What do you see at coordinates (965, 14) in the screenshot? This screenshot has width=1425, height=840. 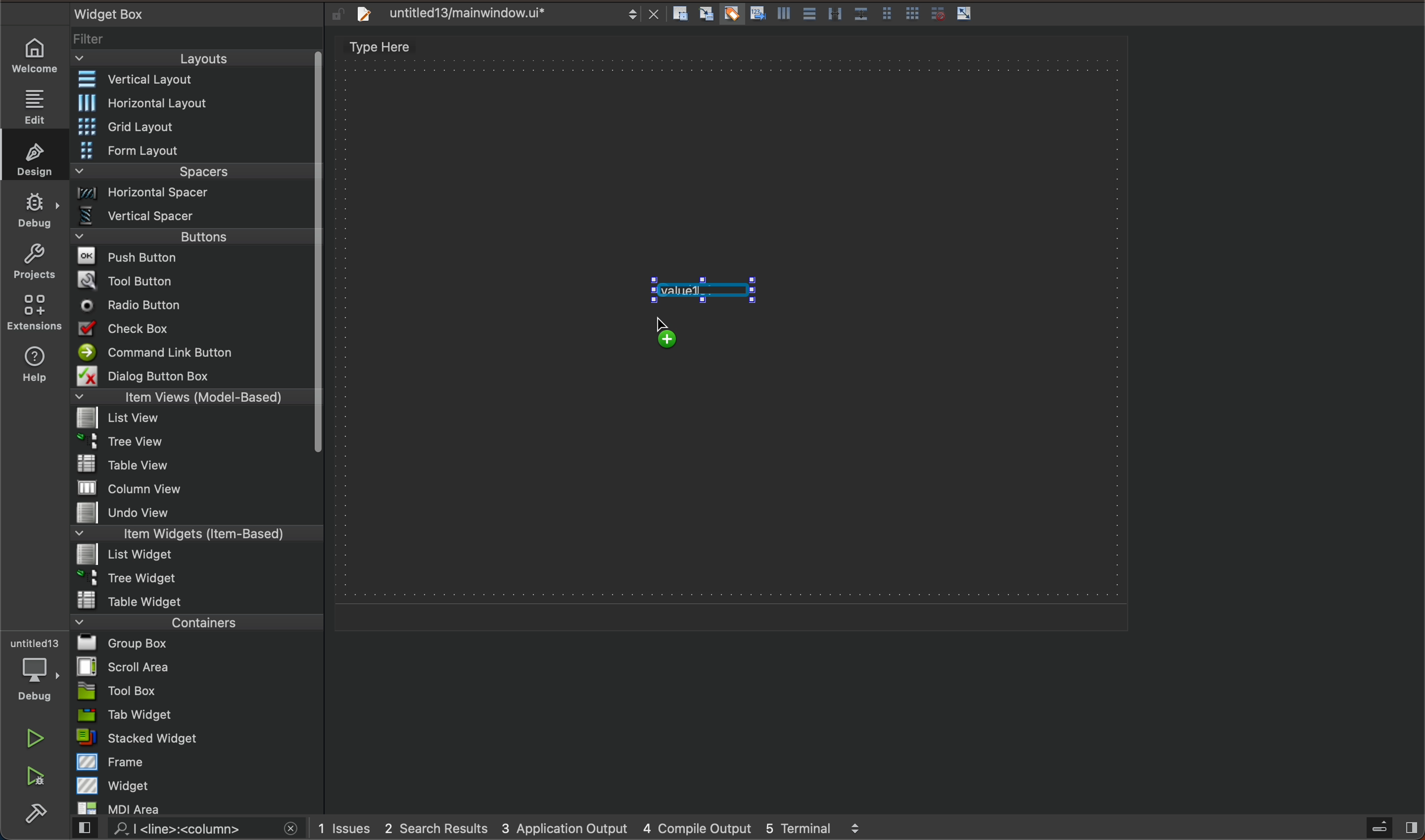 I see `` at bounding box center [965, 14].